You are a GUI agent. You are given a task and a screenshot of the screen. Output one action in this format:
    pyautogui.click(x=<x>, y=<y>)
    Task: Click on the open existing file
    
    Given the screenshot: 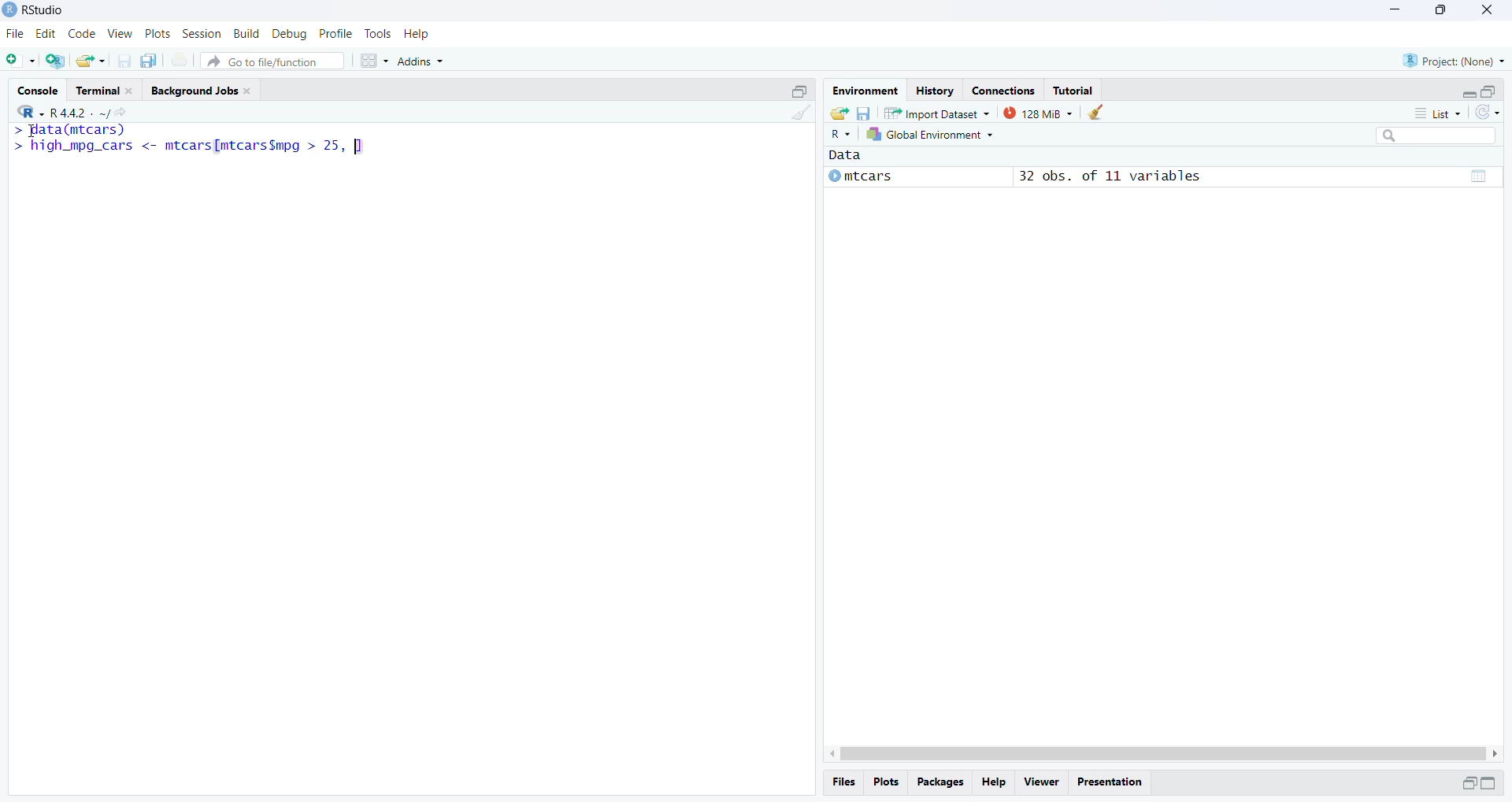 What is the action you would take?
    pyautogui.click(x=91, y=61)
    